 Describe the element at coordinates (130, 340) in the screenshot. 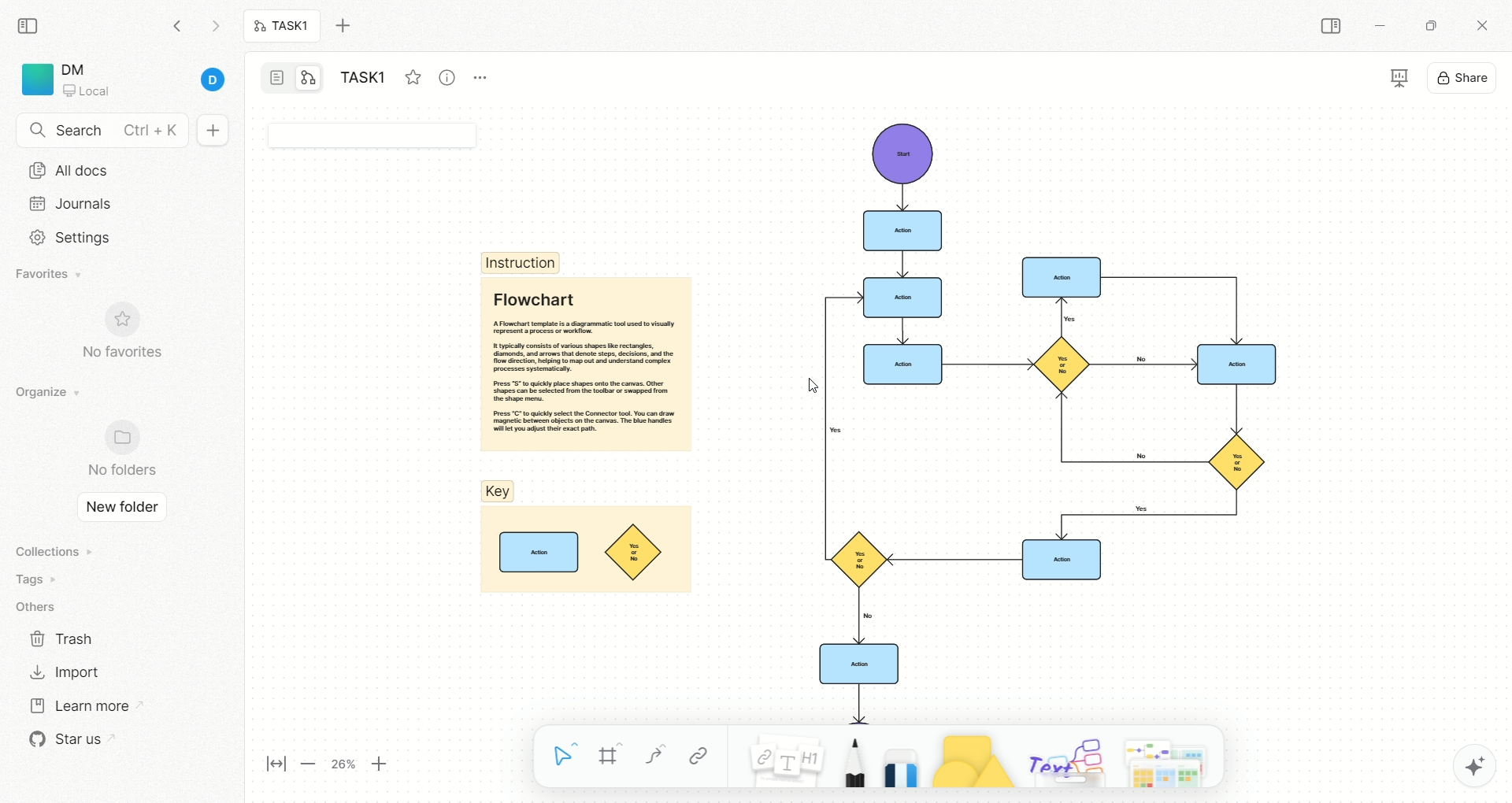

I see `no favorites` at that location.